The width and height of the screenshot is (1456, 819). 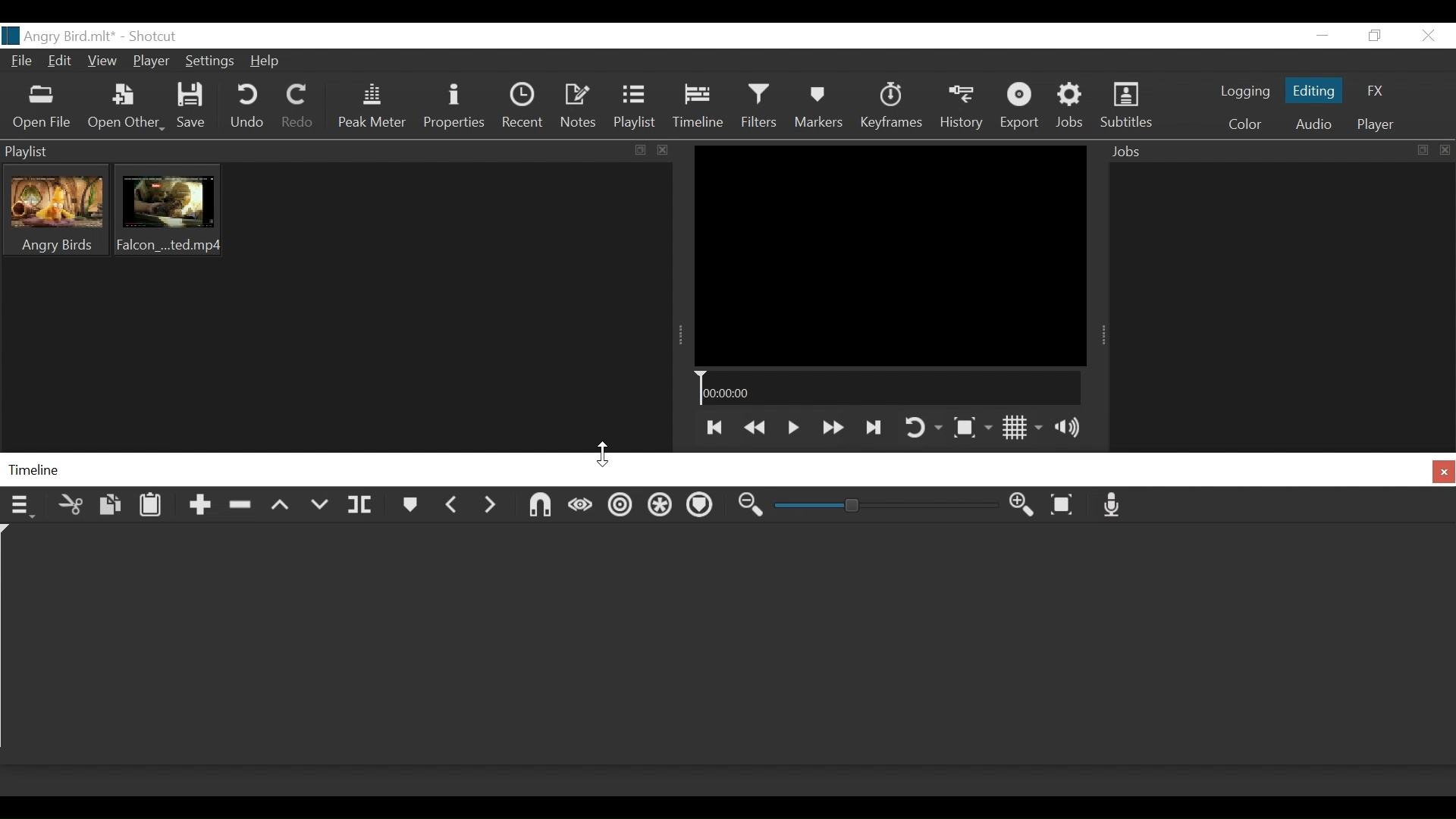 I want to click on Play backward quickly, so click(x=754, y=426).